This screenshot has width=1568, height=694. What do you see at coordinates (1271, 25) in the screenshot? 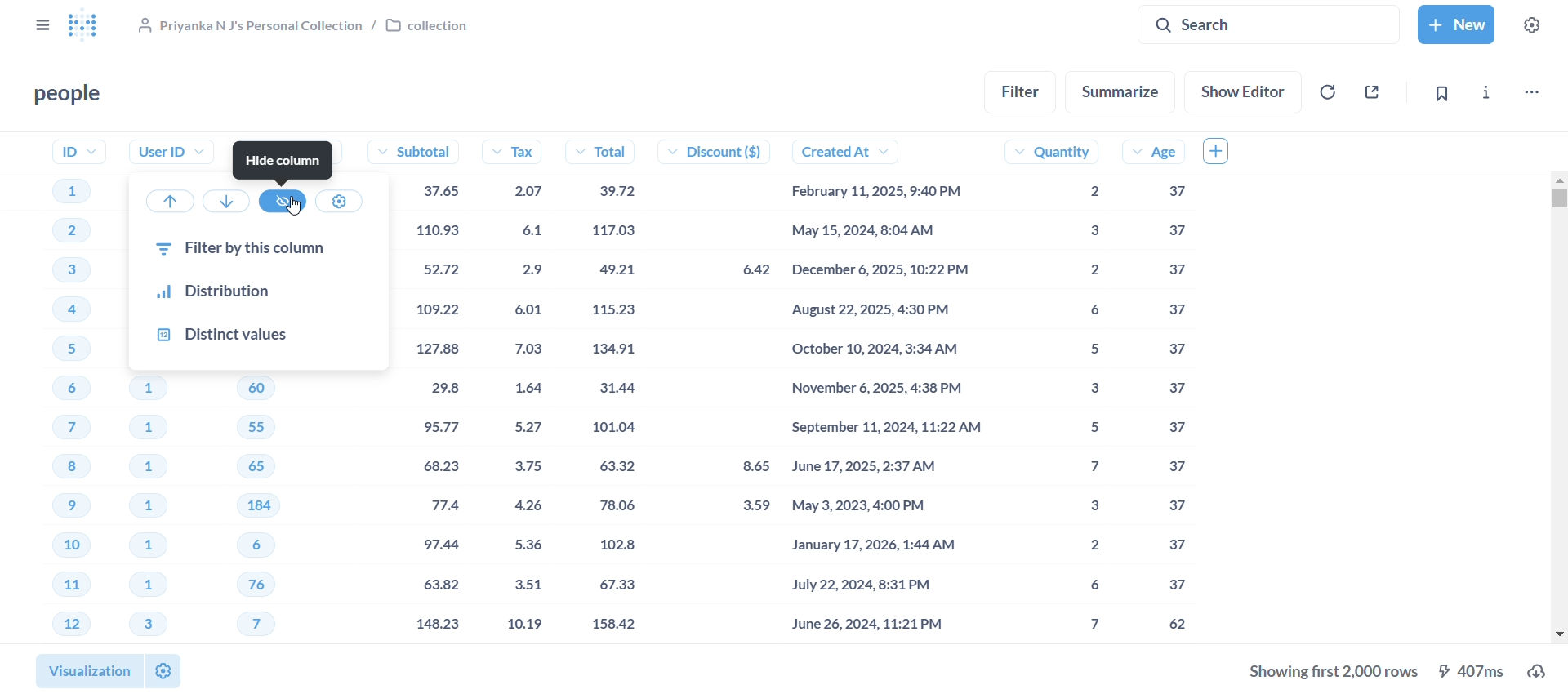
I see `search` at bounding box center [1271, 25].